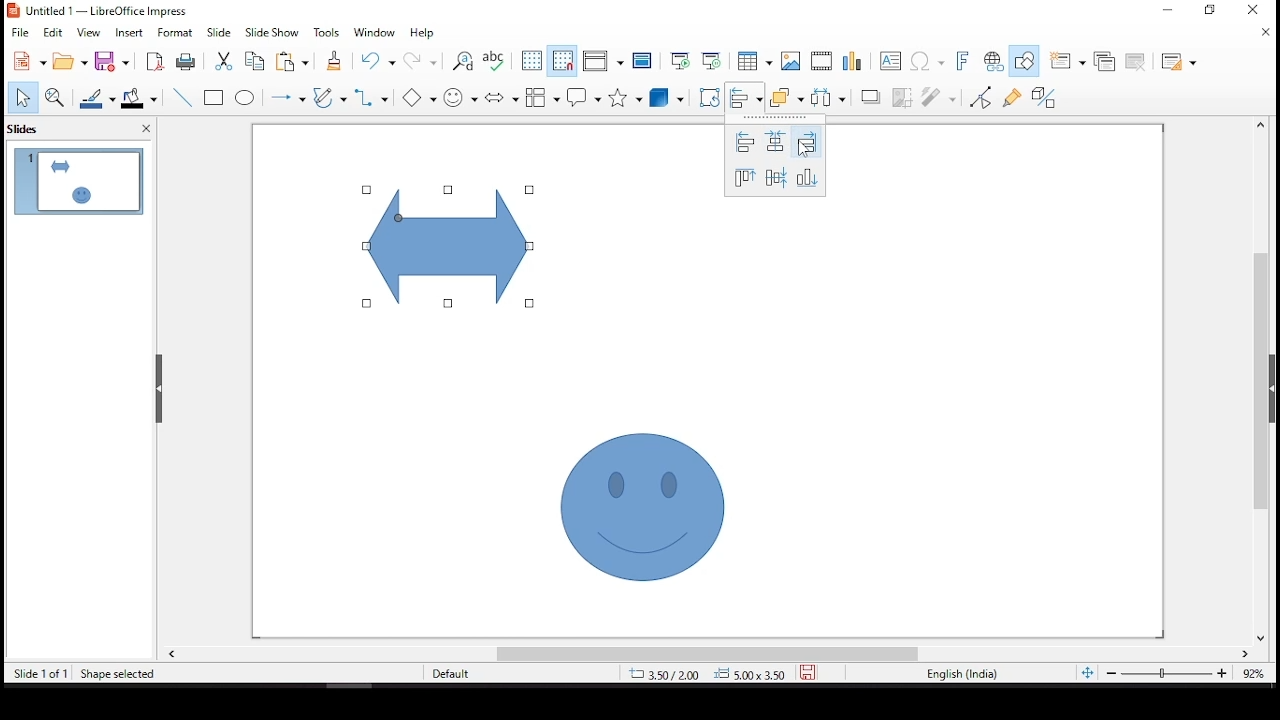 The width and height of the screenshot is (1280, 720). Describe the element at coordinates (891, 62) in the screenshot. I see `text box` at that location.